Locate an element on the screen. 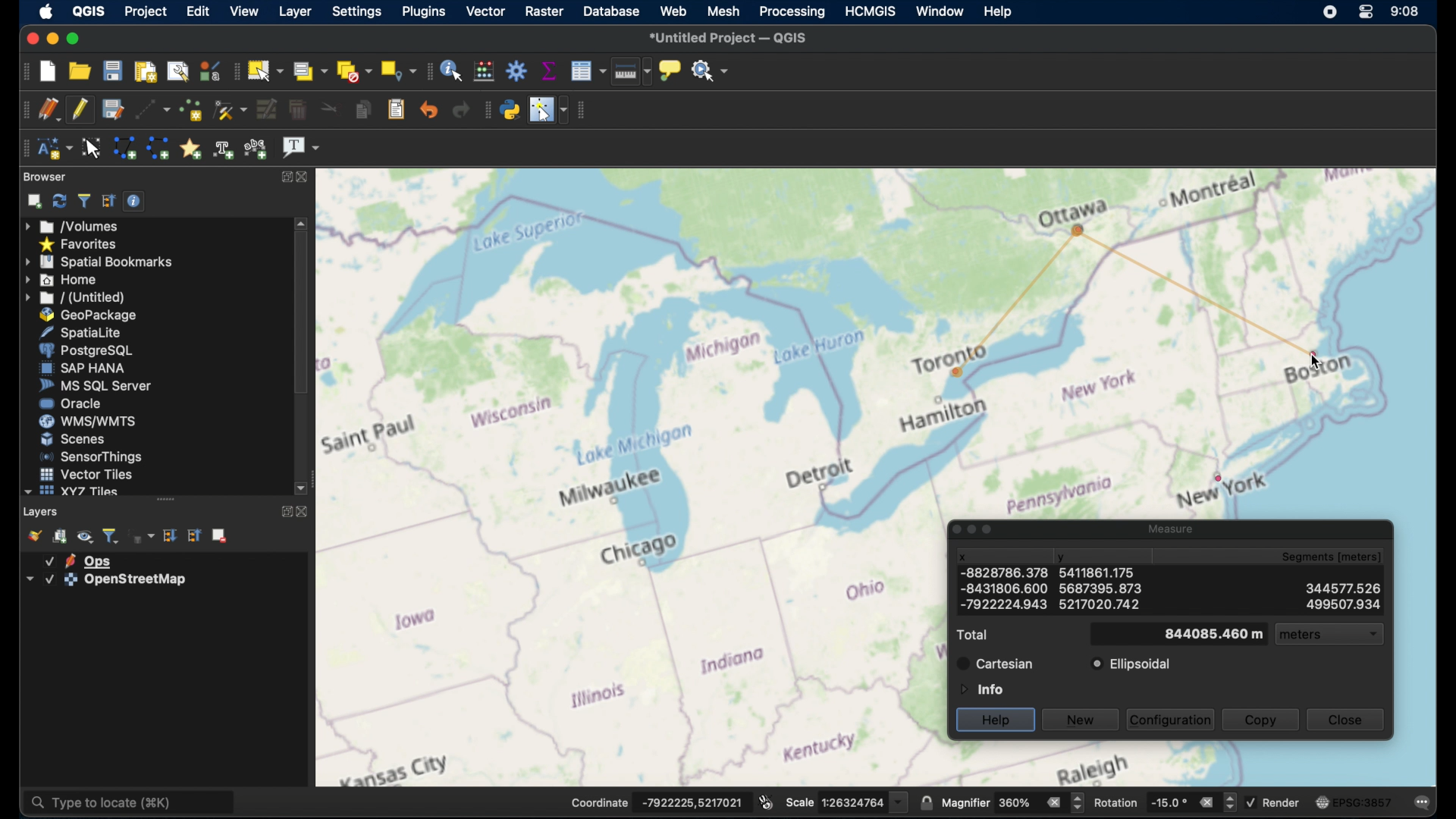 The height and width of the screenshot is (819, 1456). style manager is located at coordinates (210, 69).